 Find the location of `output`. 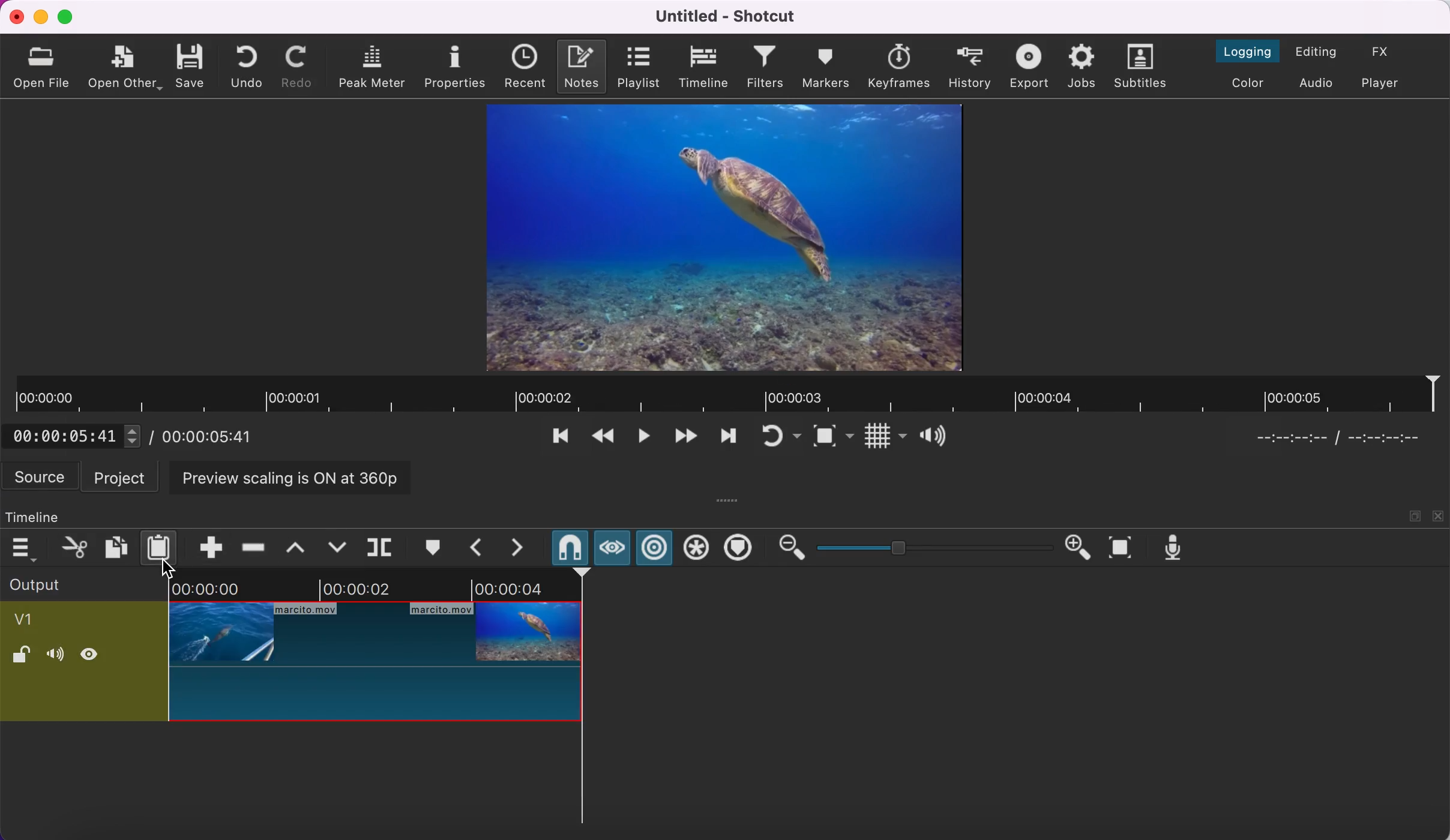

output is located at coordinates (83, 584).